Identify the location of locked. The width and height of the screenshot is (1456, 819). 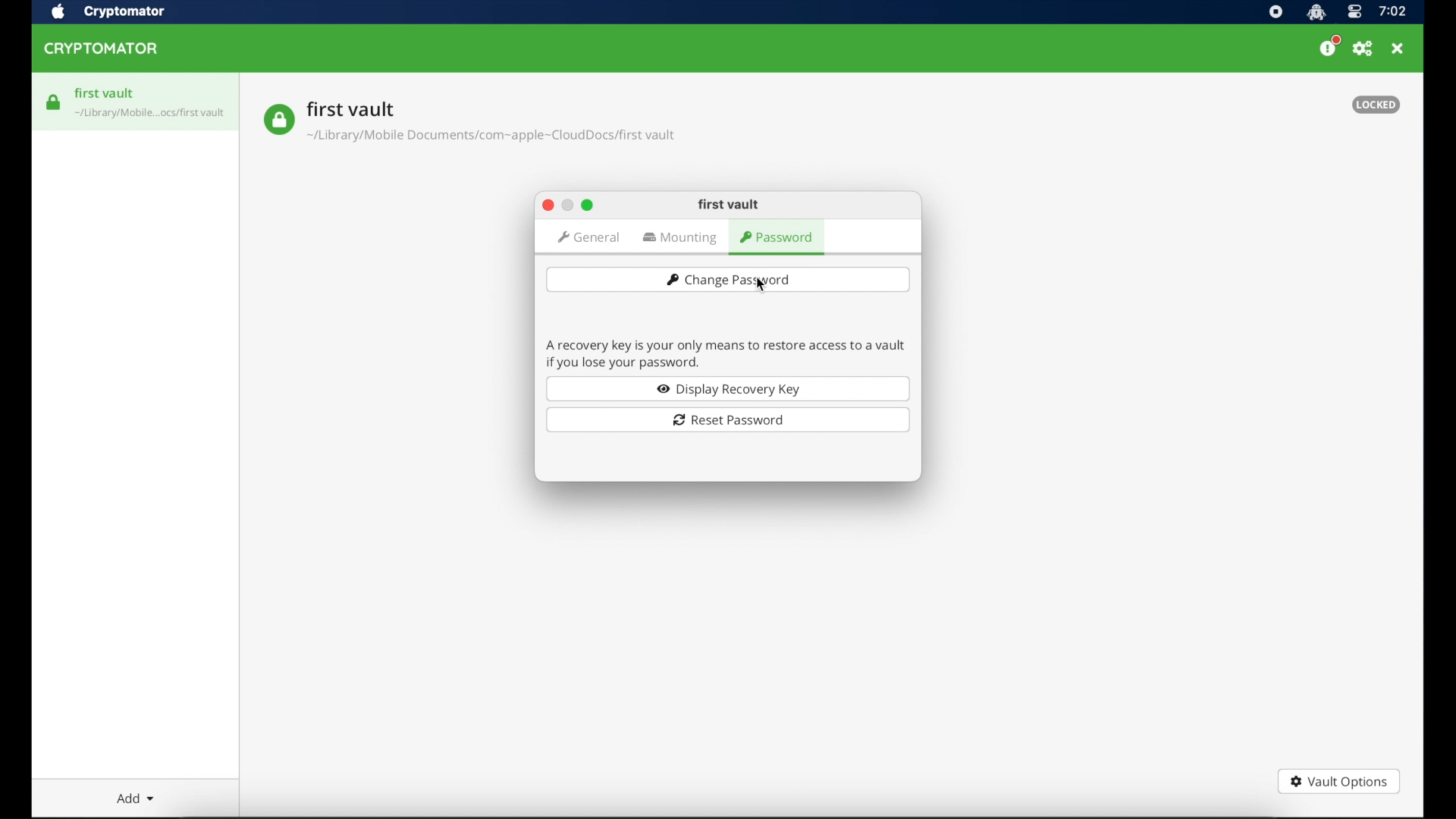
(1376, 105).